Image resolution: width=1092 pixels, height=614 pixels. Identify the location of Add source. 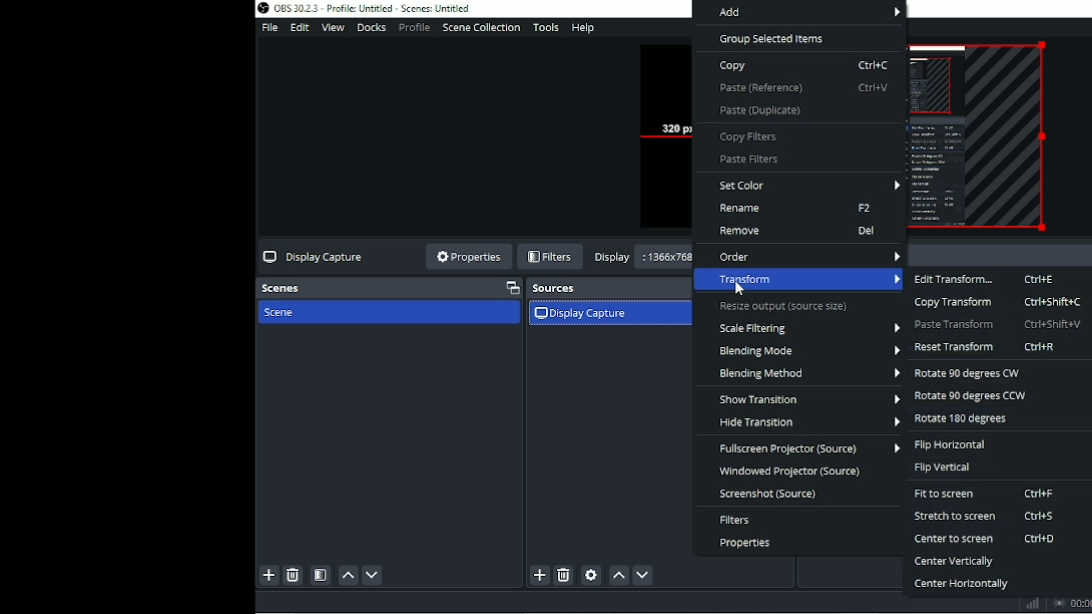
(539, 576).